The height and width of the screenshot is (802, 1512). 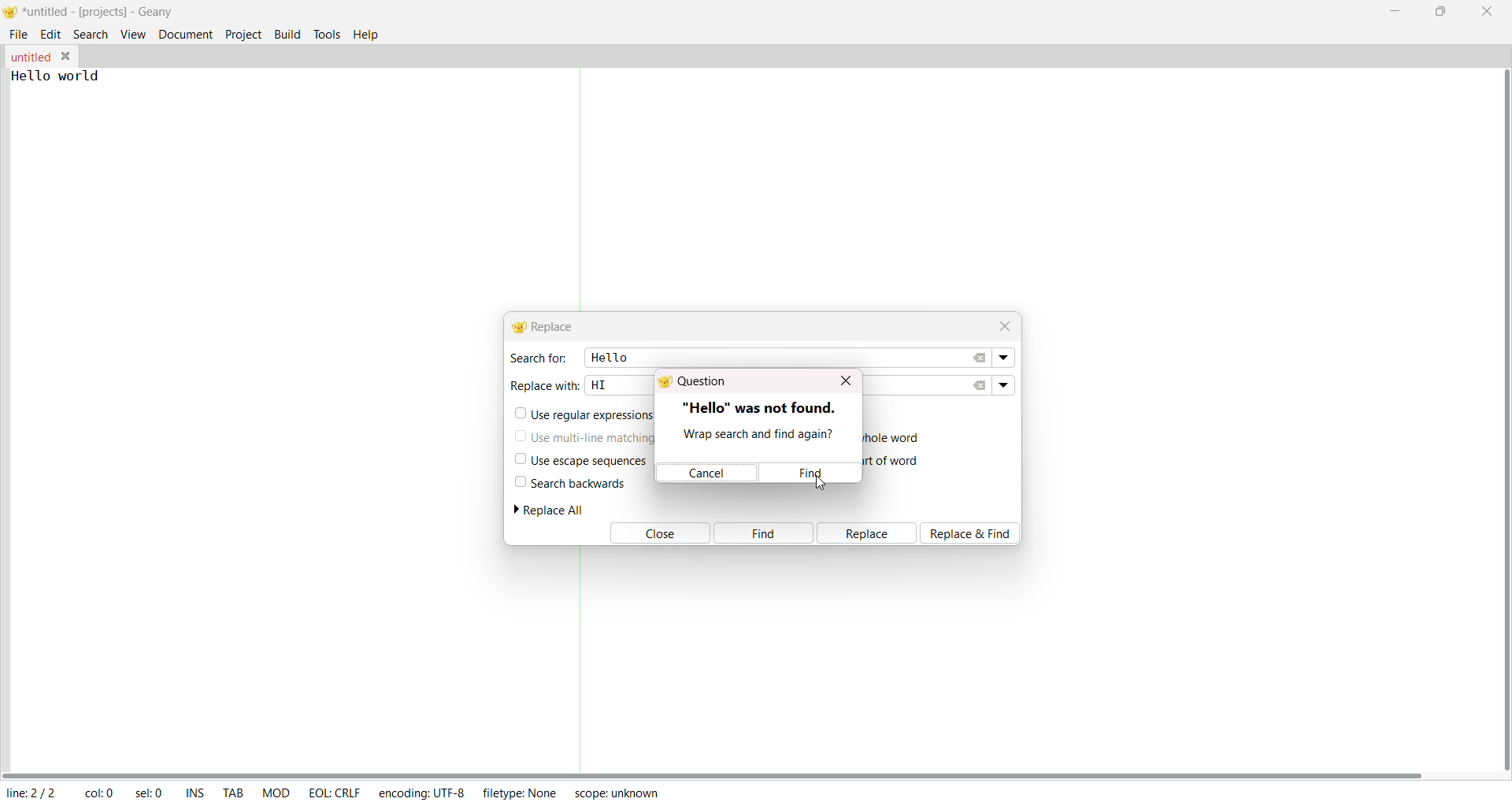 I want to click on replace with, so click(x=545, y=384).